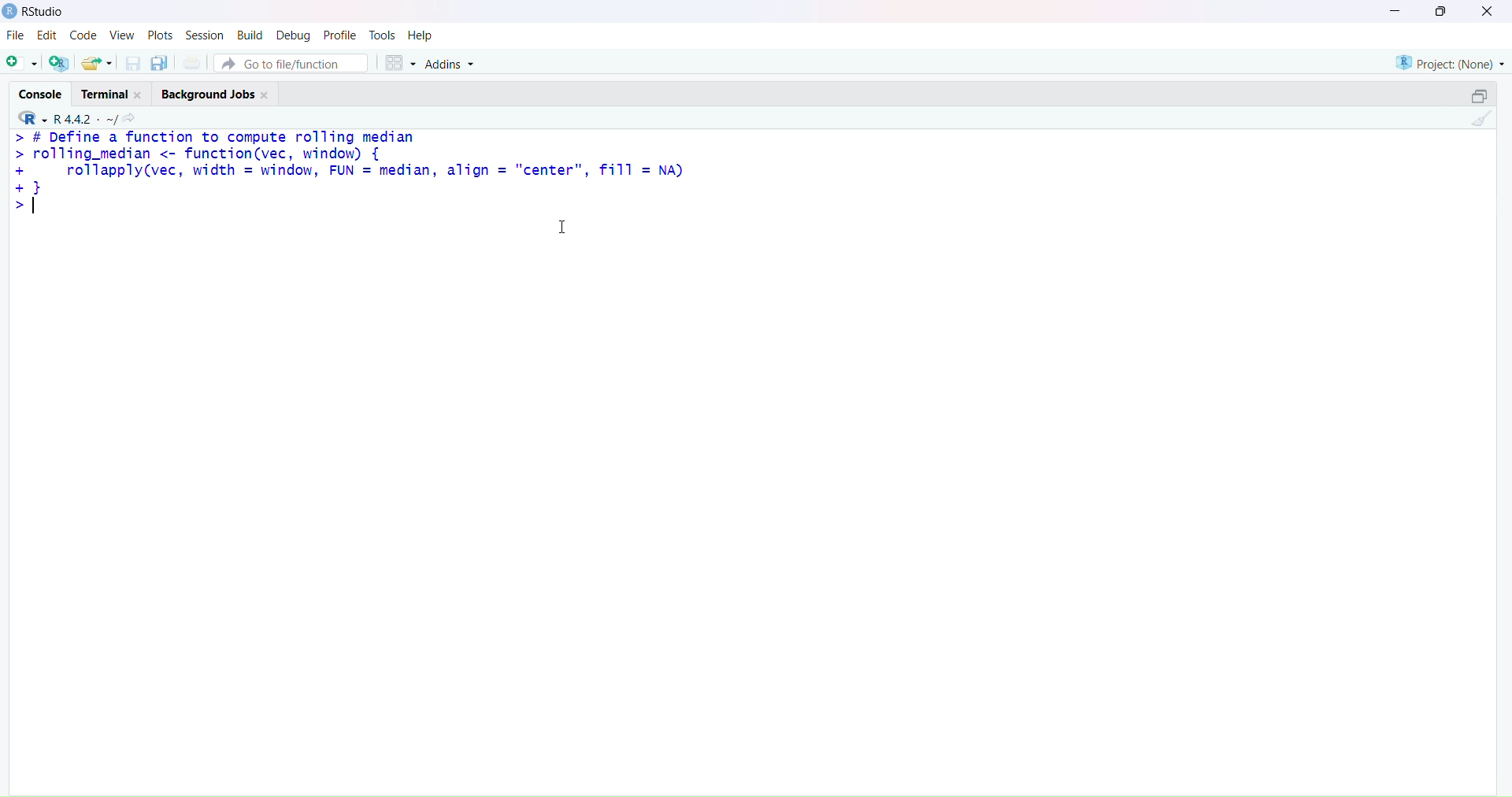  I want to click on add R file, so click(60, 64).